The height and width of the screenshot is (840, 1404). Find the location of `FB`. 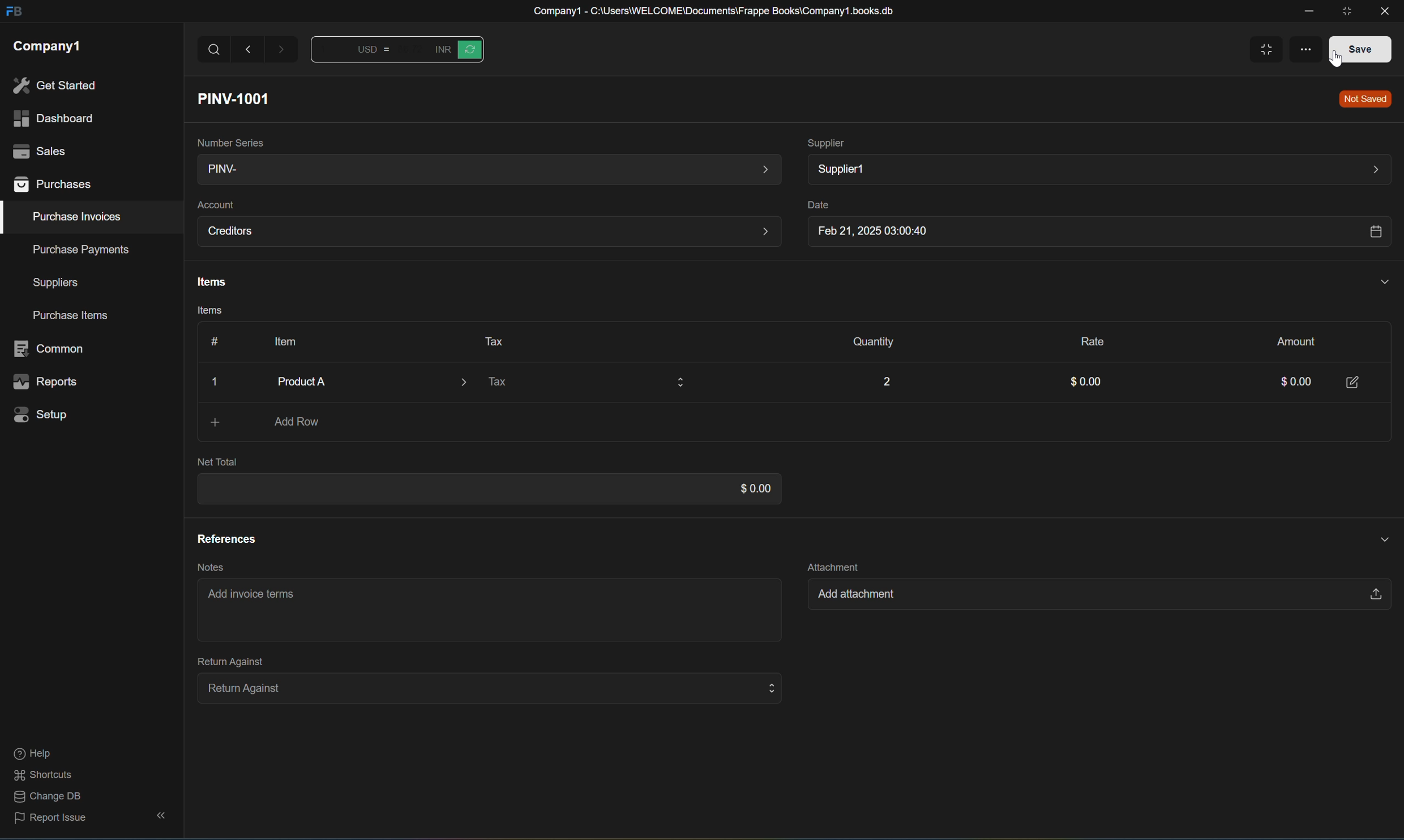

FB is located at coordinates (13, 12).